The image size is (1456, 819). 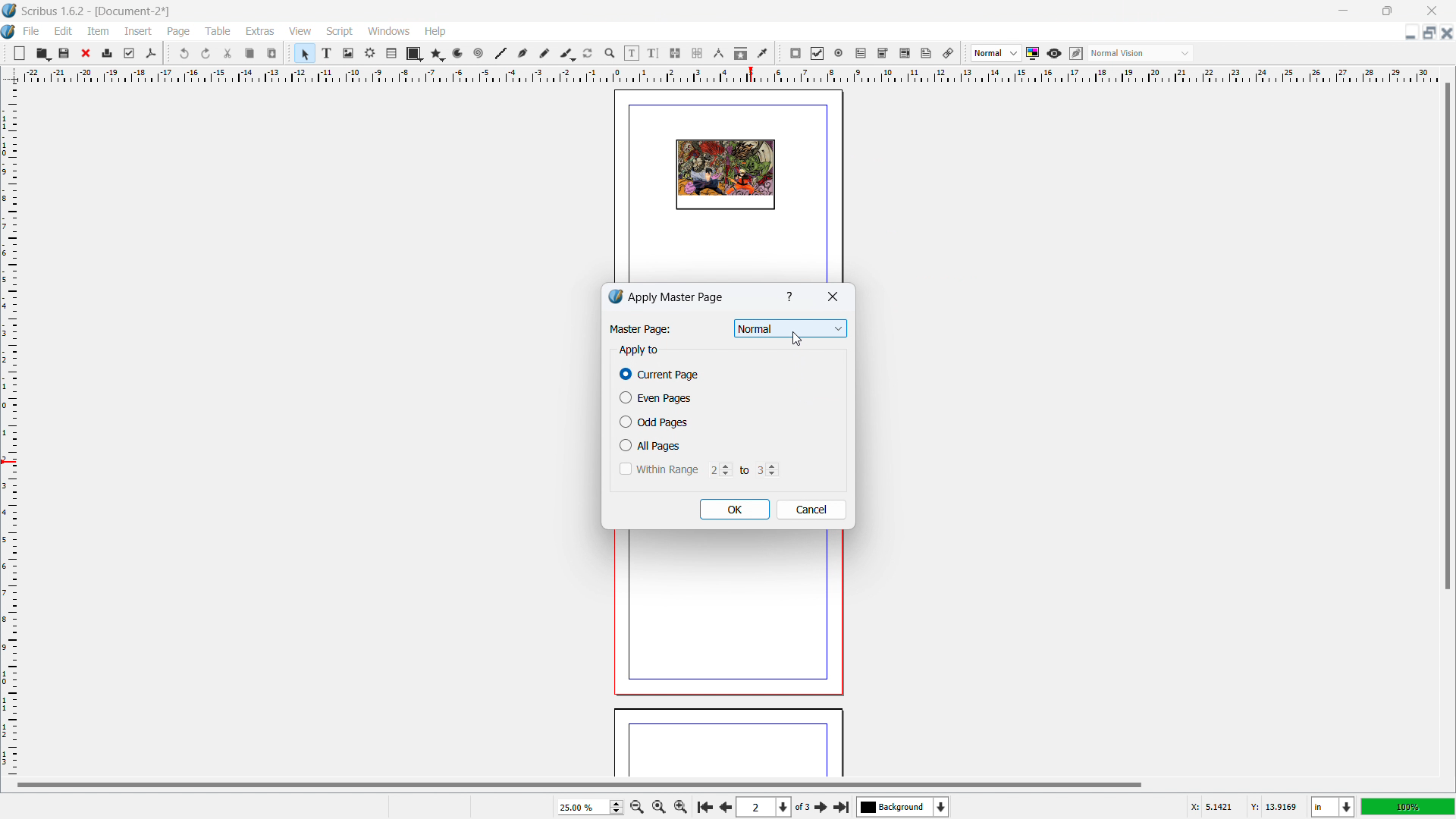 I want to click on windows, so click(x=390, y=31).